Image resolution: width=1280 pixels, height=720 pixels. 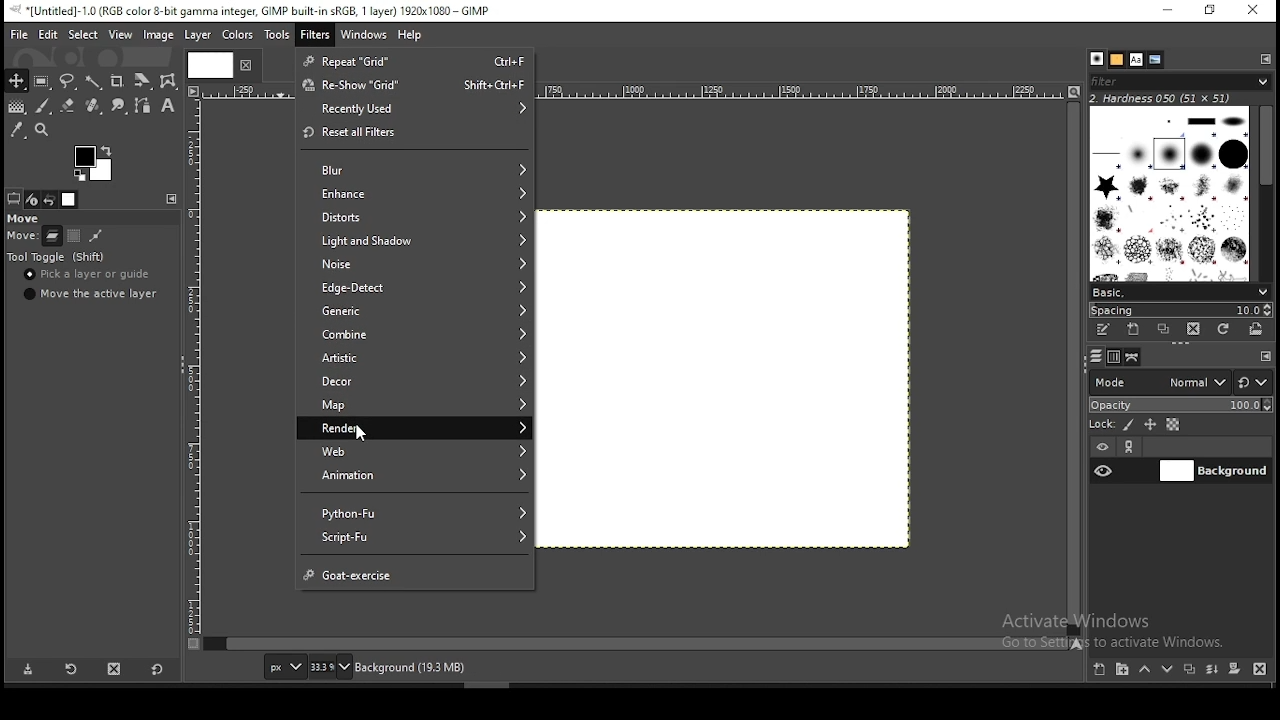 I want to click on move, so click(x=19, y=237).